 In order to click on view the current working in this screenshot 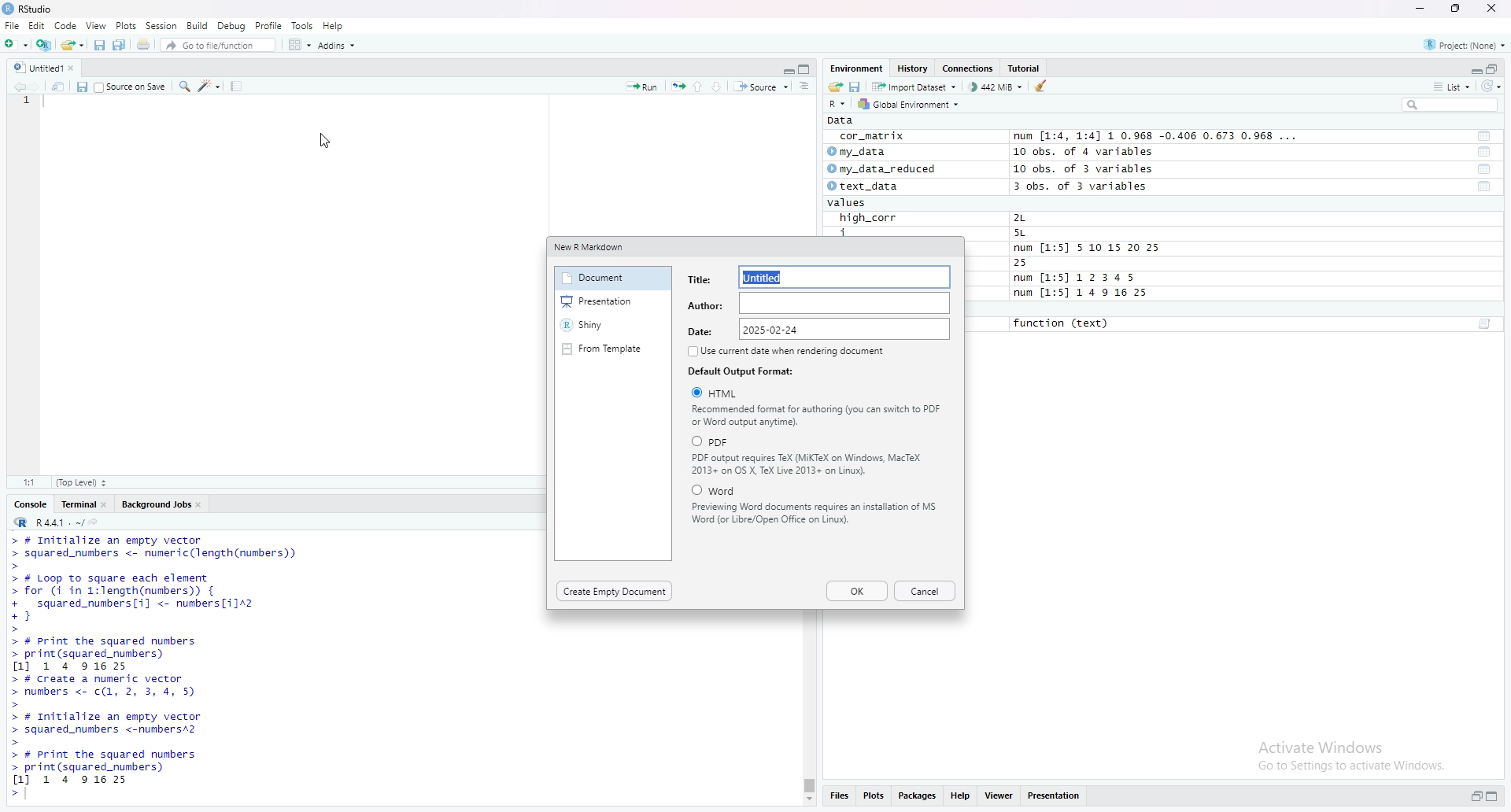, I will do `click(98, 522)`.